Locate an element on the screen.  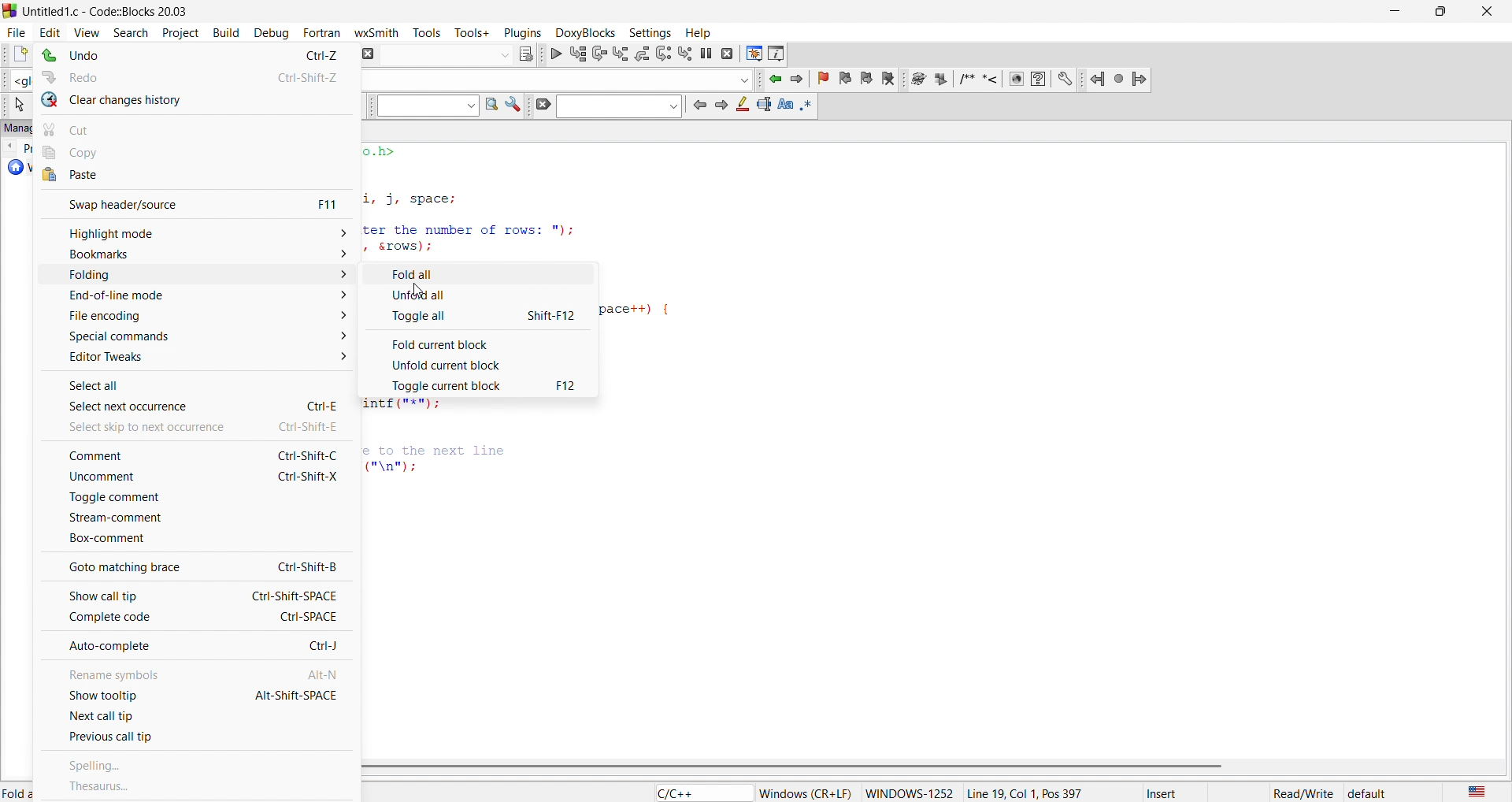
clear bookmart is located at coordinates (891, 80).